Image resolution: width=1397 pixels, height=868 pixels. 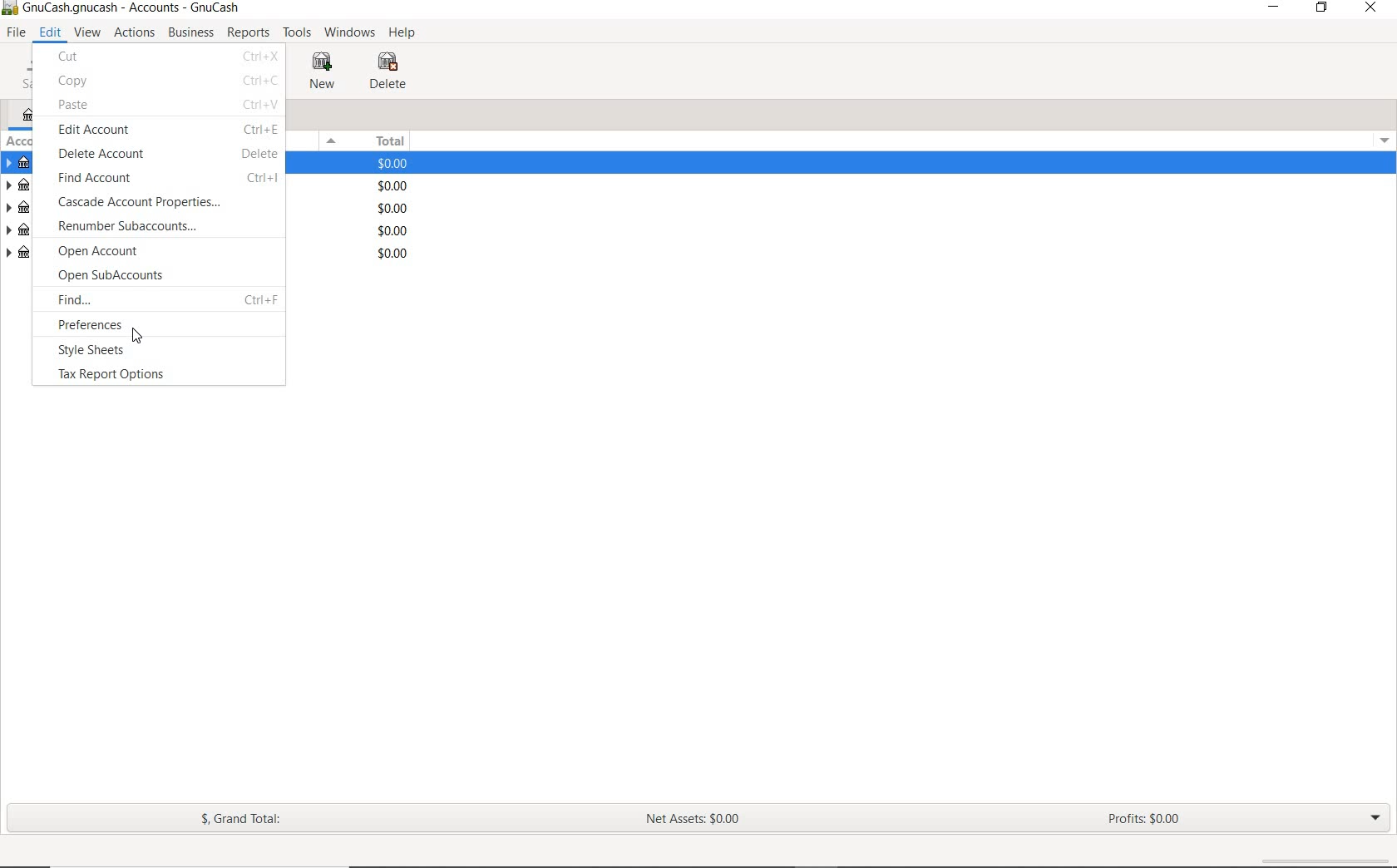 I want to click on FIND, so click(x=166, y=298).